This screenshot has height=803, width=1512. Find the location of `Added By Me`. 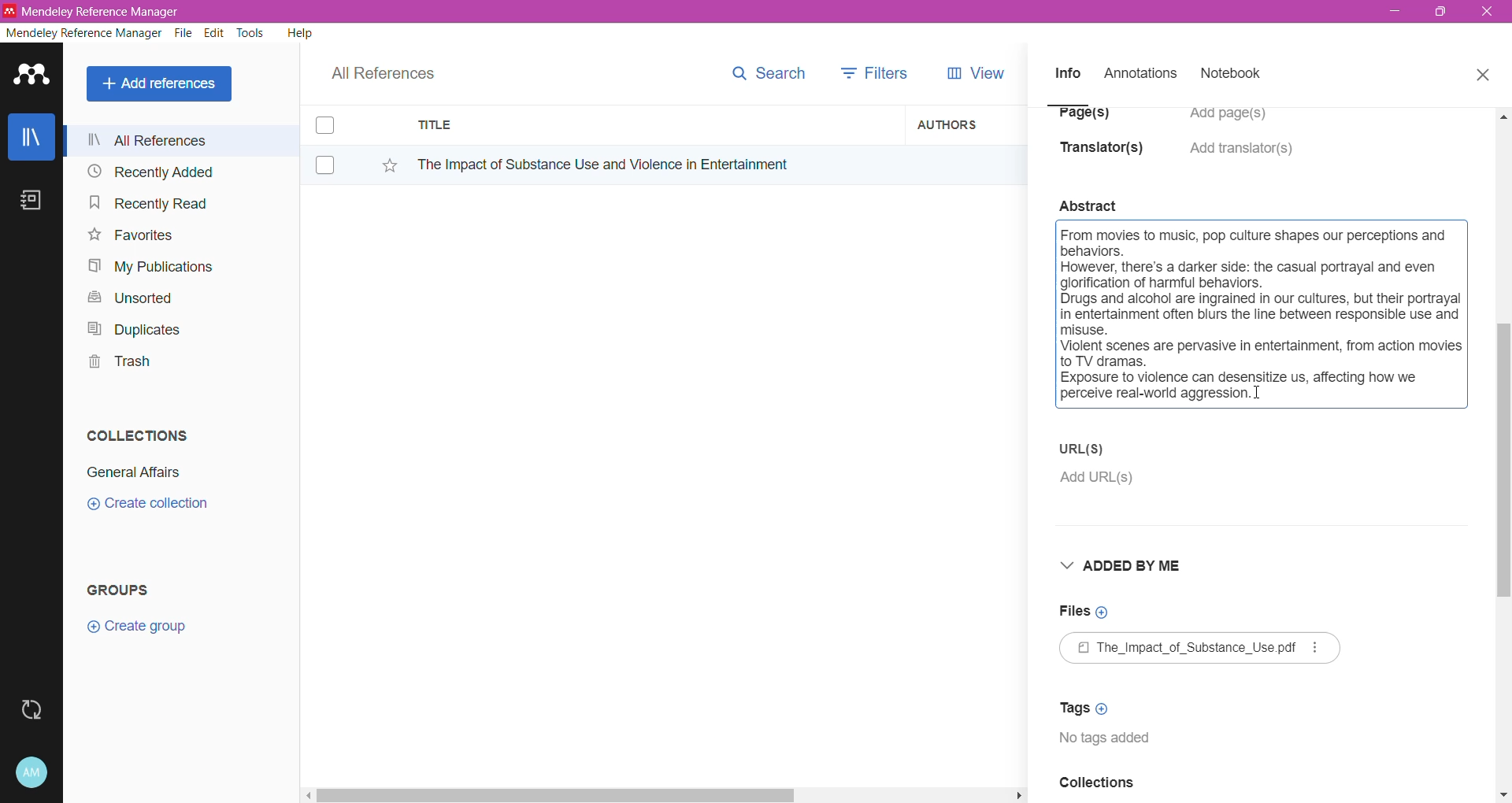

Added By Me is located at coordinates (1127, 568).